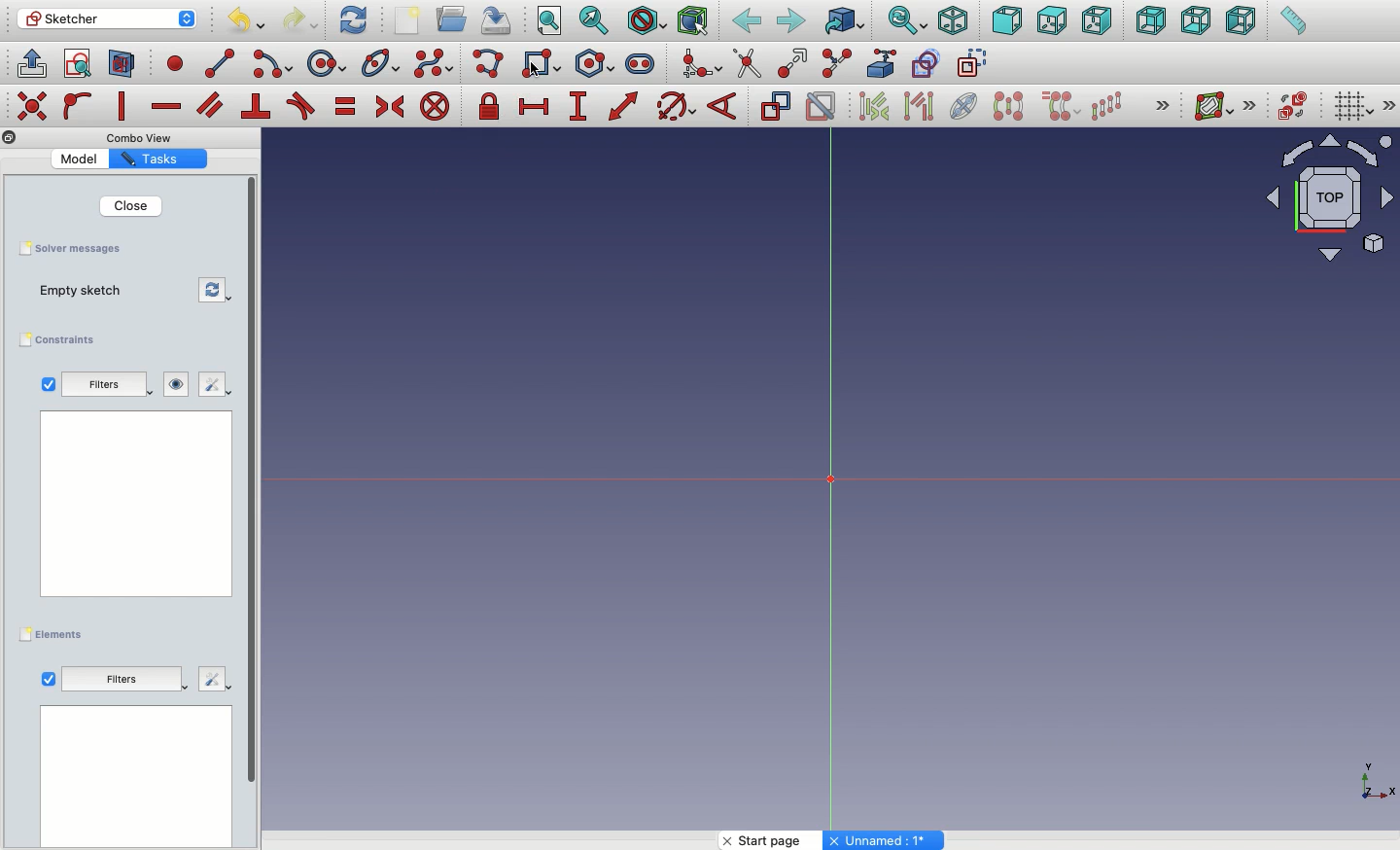 The width and height of the screenshot is (1400, 850). Describe the element at coordinates (62, 340) in the screenshot. I see `constraints` at that location.